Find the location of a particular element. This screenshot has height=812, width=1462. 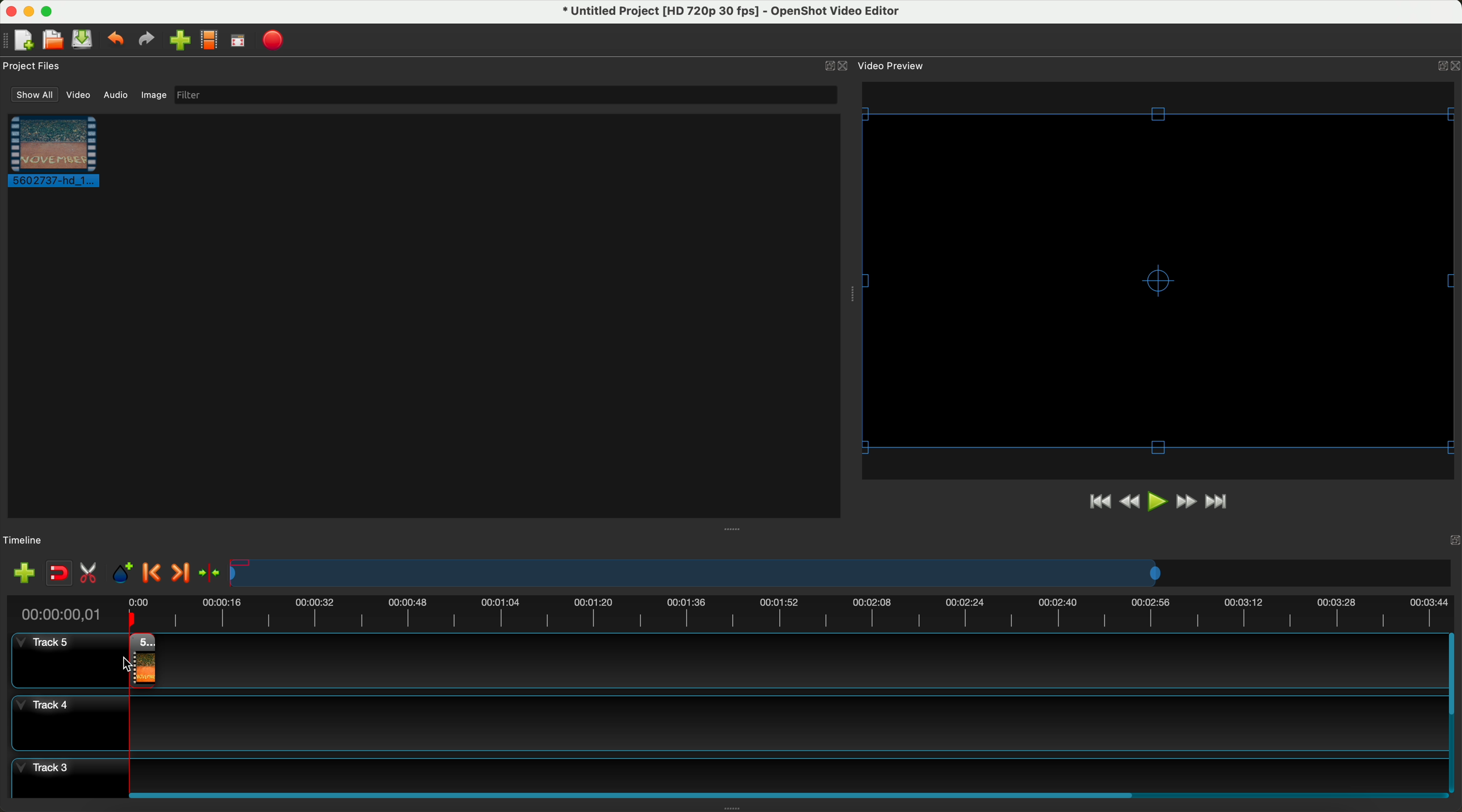

fast foward is located at coordinates (1186, 501).